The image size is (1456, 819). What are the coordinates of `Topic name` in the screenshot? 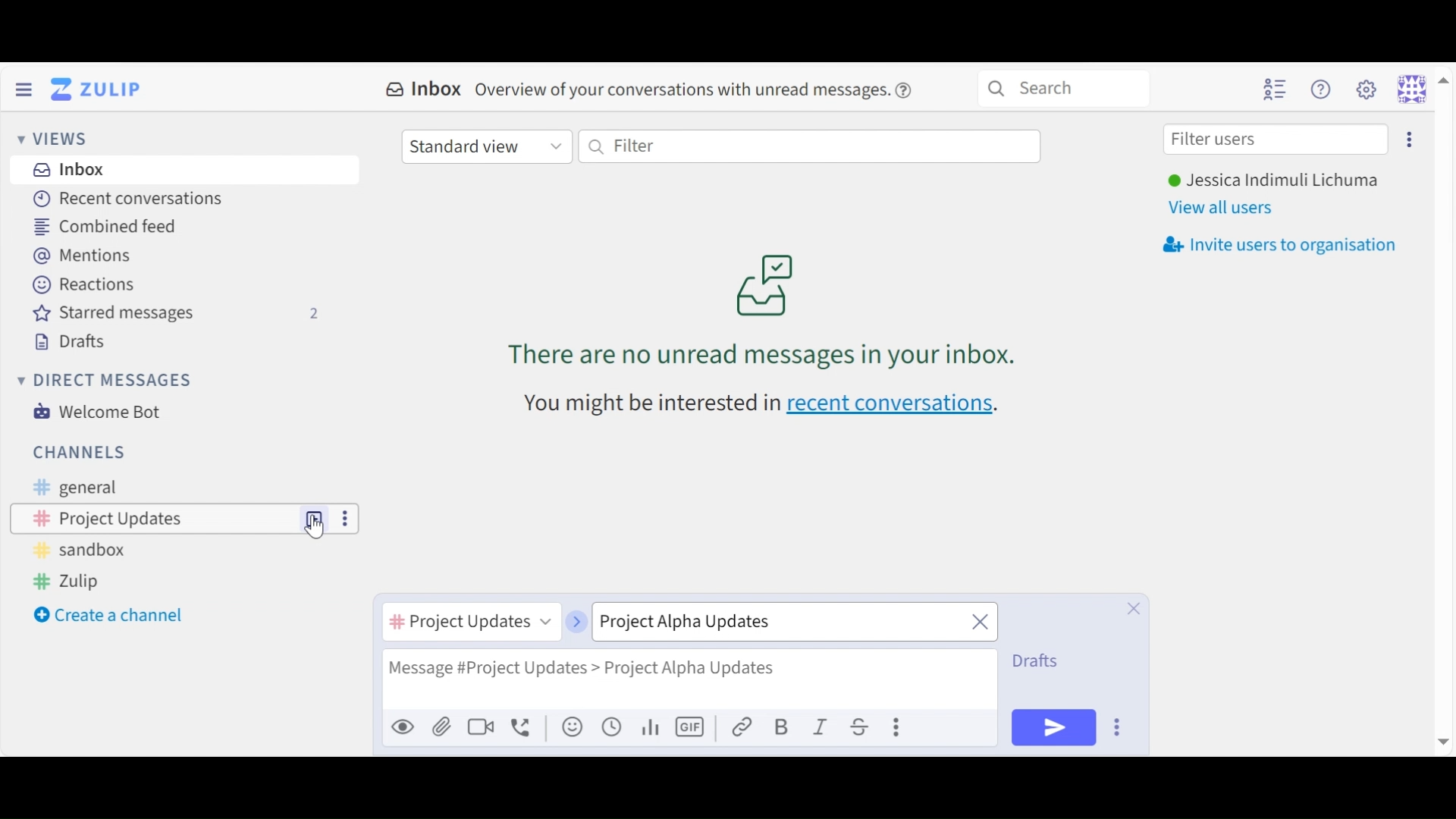 It's located at (766, 623).